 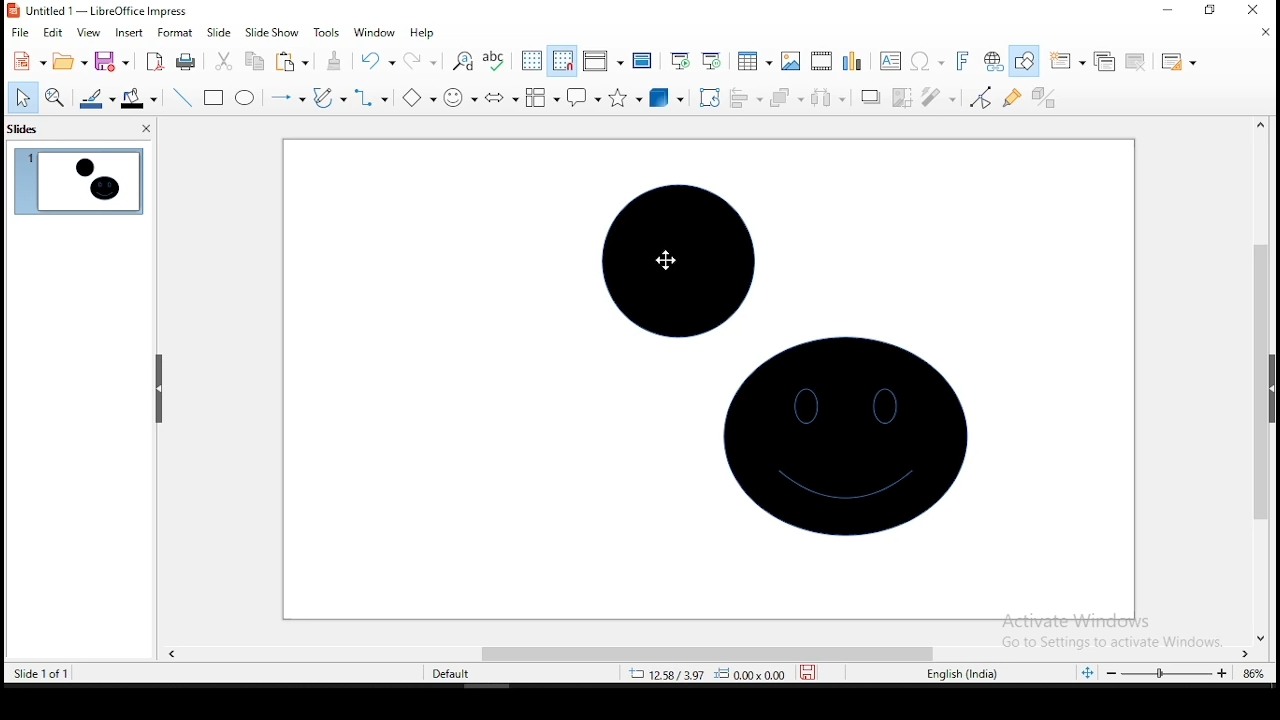 What do you see at coordinates (785, 99) in the screenshot?
I see `arrange` at bounding box center [785, 99].